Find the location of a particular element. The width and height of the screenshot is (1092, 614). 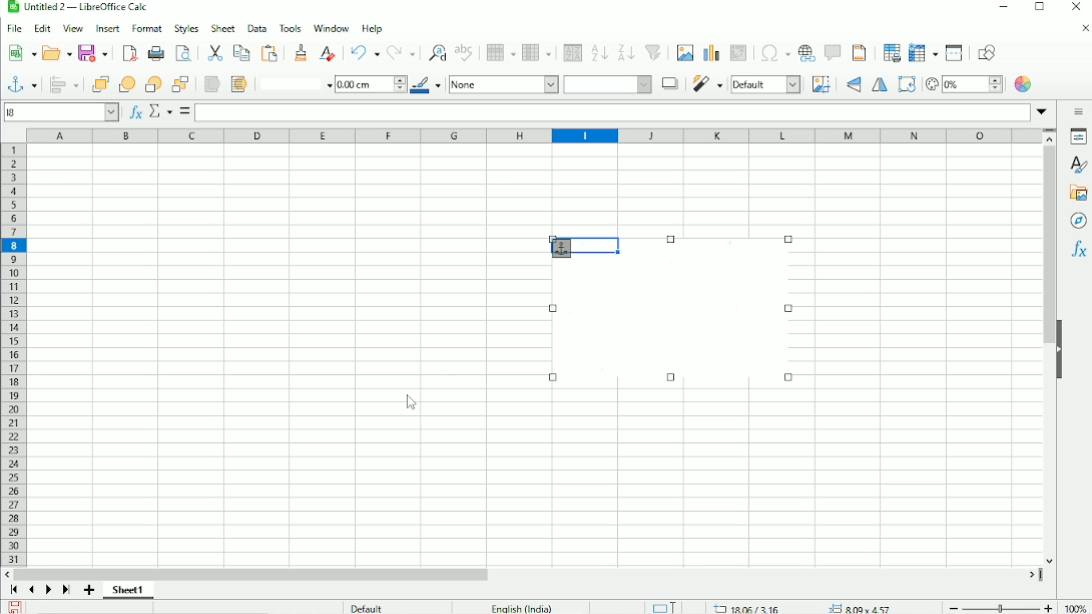

Format is located at coordinates (146, 28).